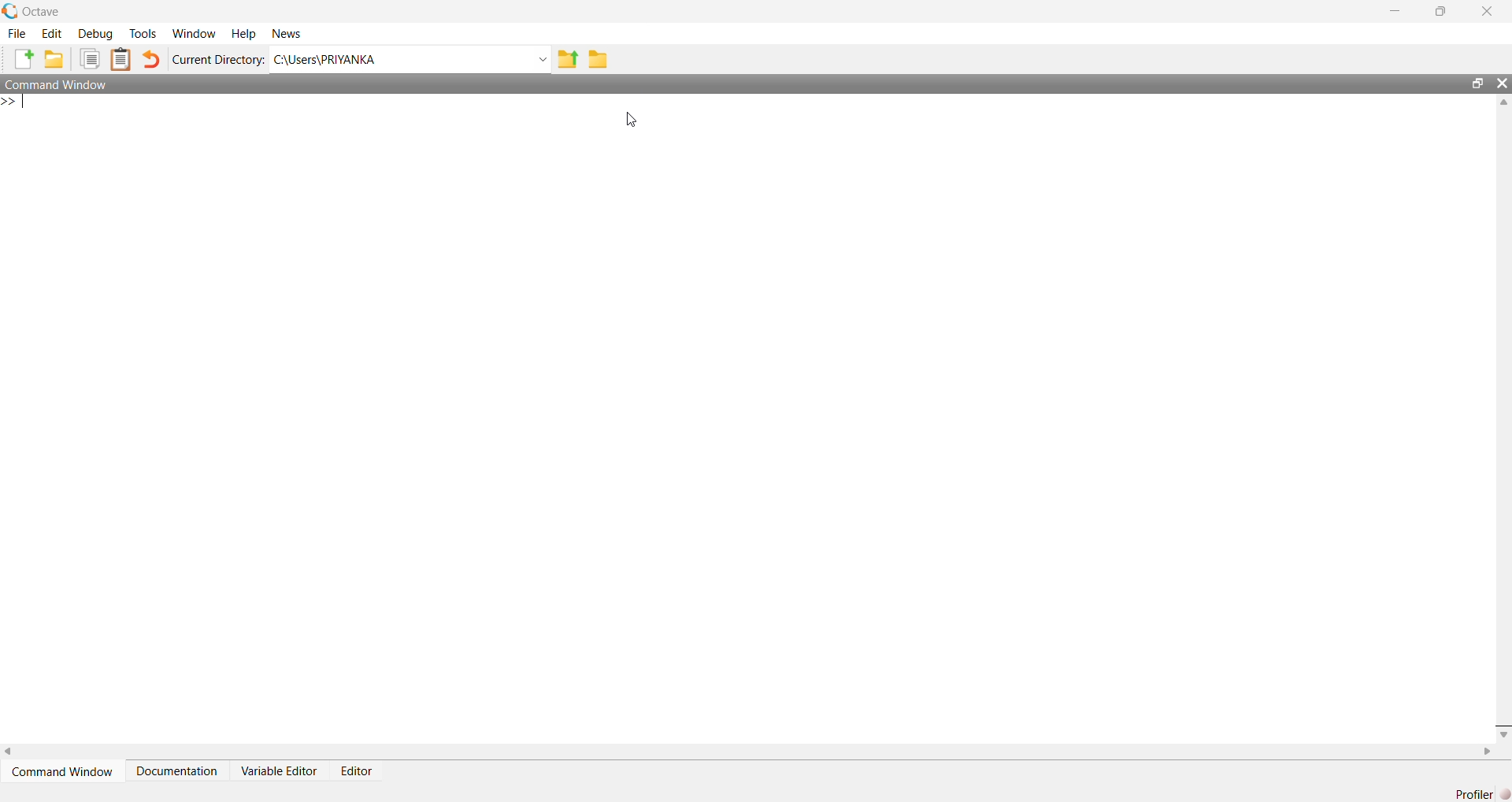  I want to click on Debug, so click(98, 35).